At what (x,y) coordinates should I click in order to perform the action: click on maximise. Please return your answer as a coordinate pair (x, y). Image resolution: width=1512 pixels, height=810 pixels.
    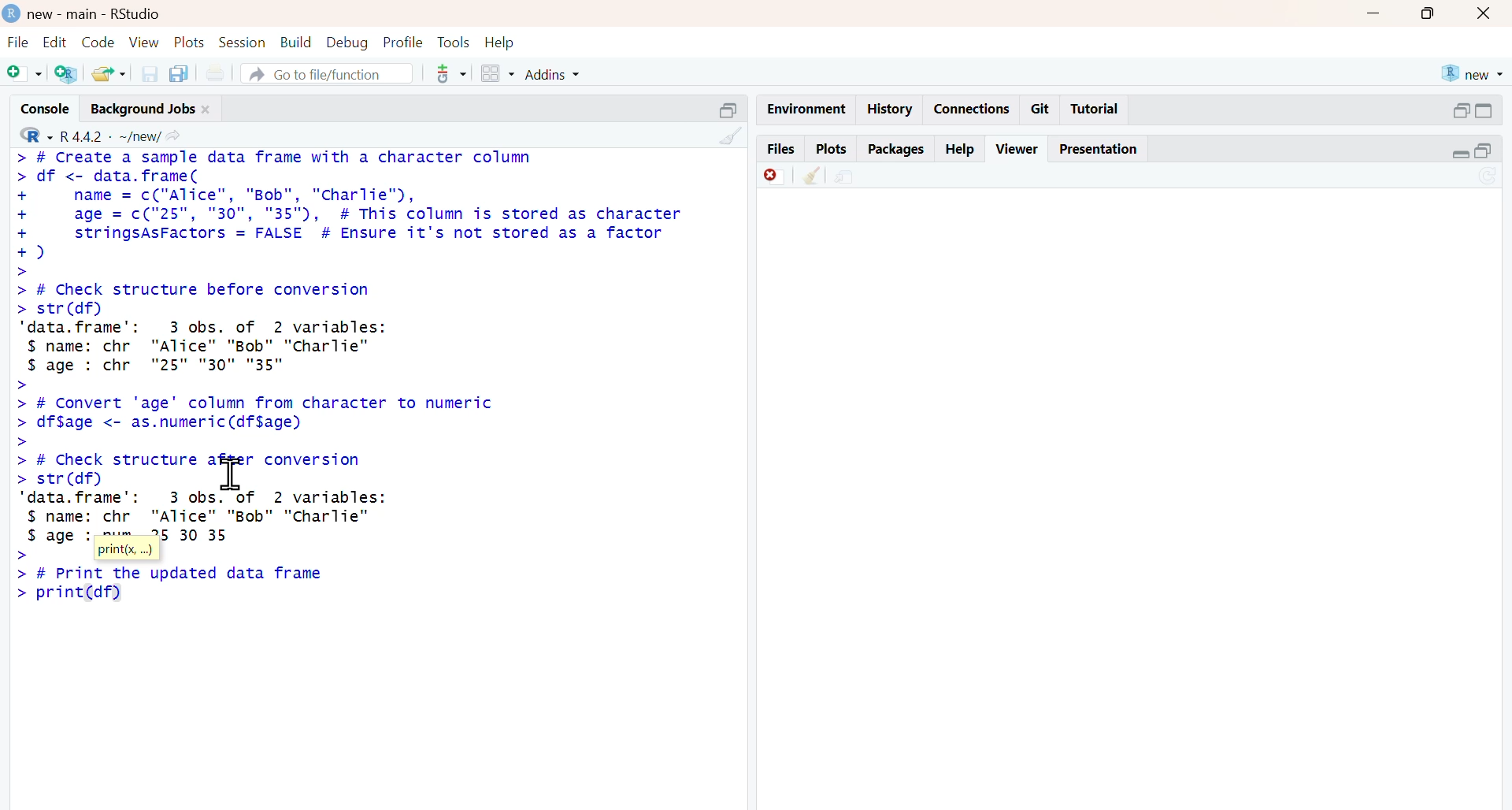
    Looking at the image, I should click on (1427, 13).